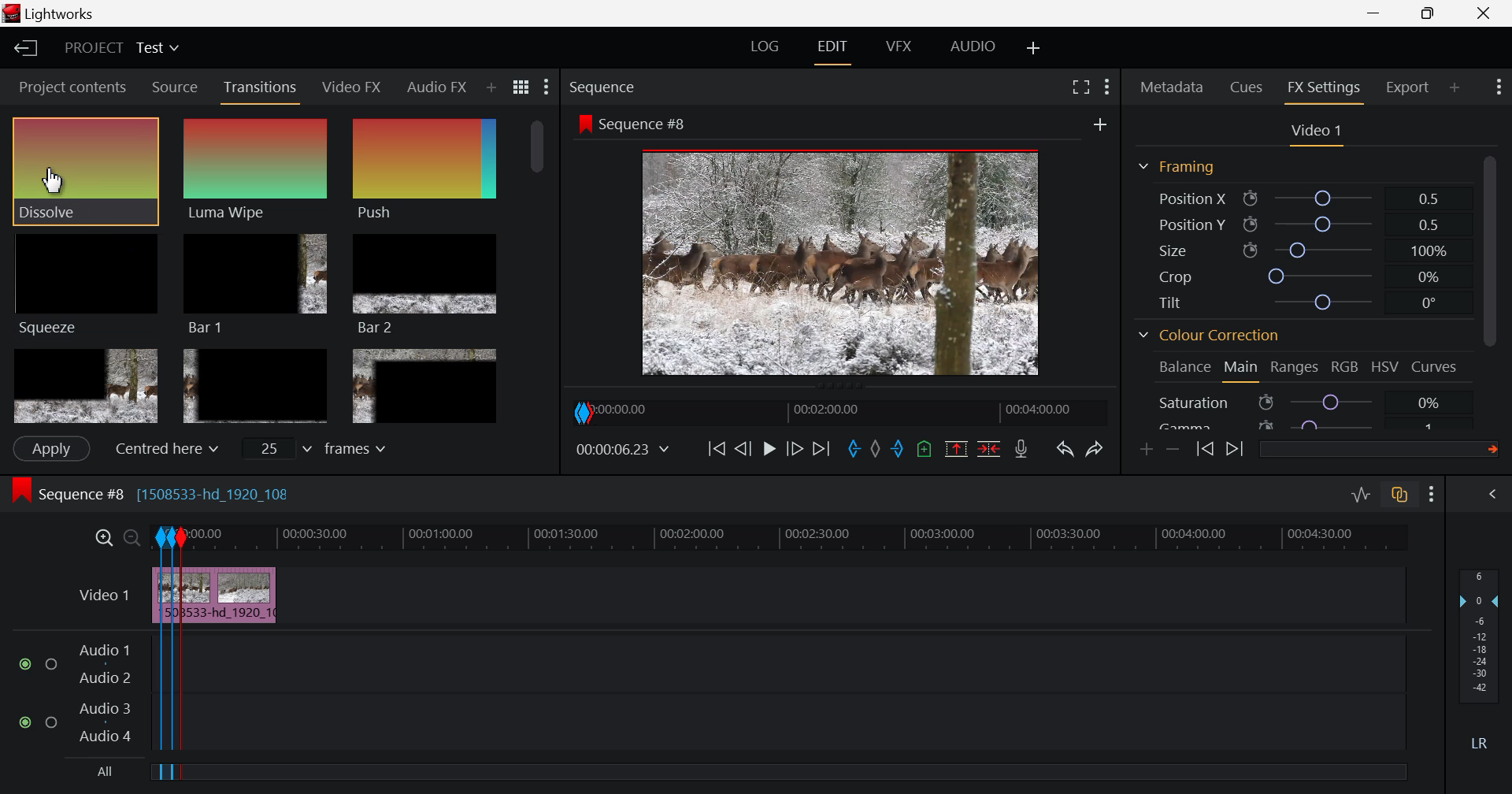 The height and width of the screenshot is (794, 1512). What do you see at coordinates (846, 265) in the screenshot?
I see `Image` at bounding box center [846, 265].